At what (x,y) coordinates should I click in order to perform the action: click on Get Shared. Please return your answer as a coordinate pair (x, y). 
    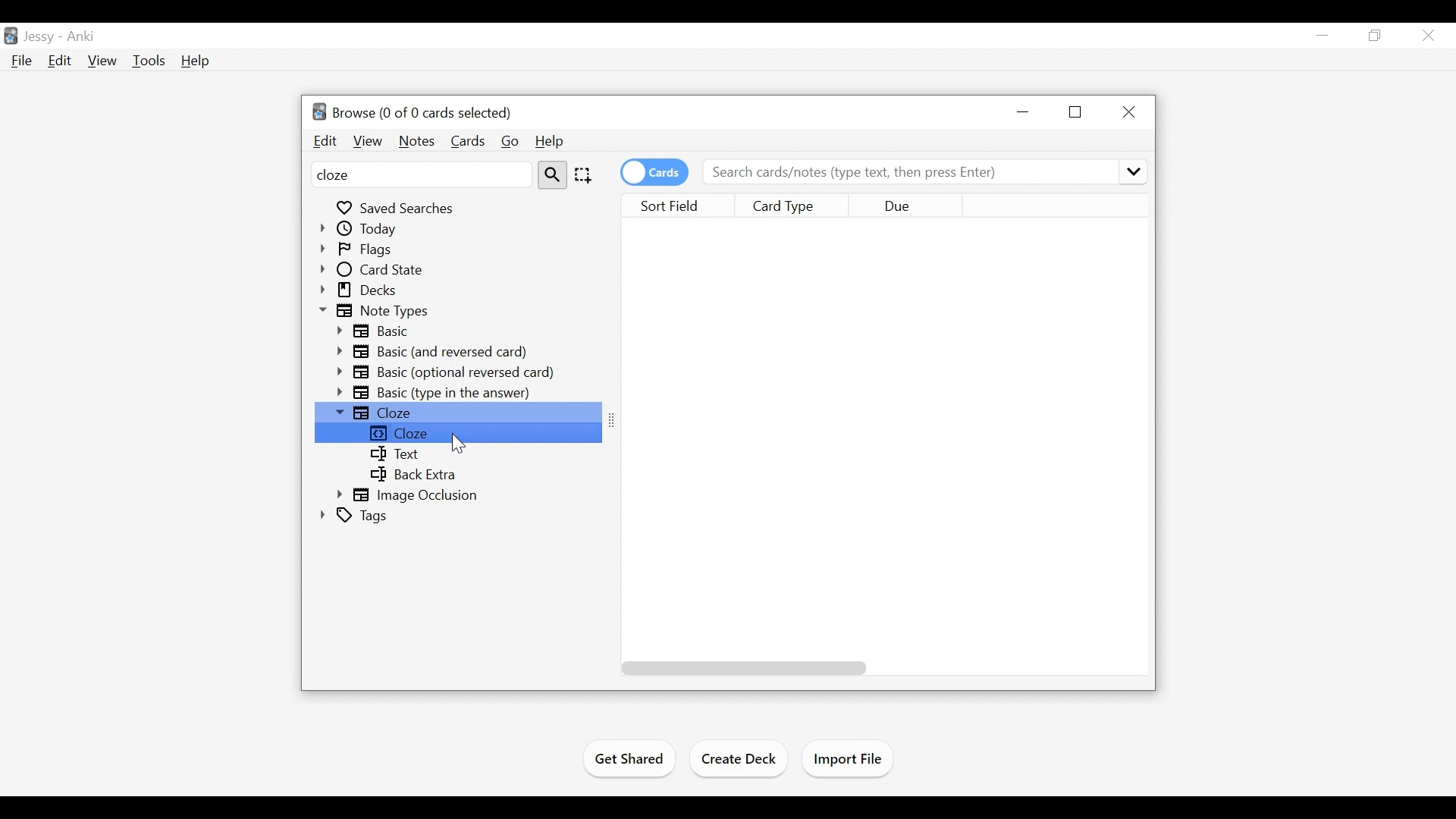
    Looking at the image, I should click on (627, 761).